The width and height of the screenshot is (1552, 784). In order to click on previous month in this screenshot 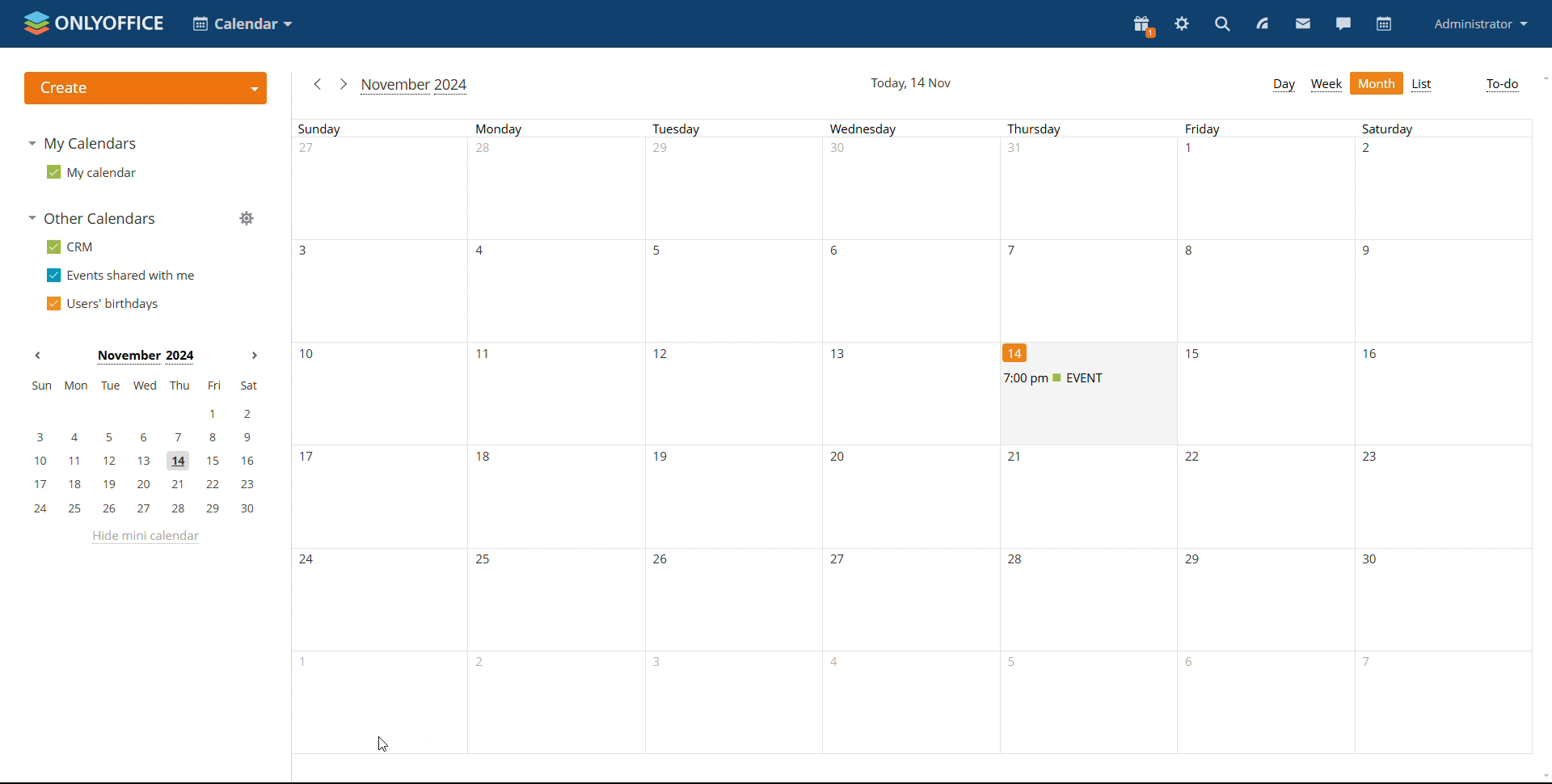, I will do `click(315, 83)`.